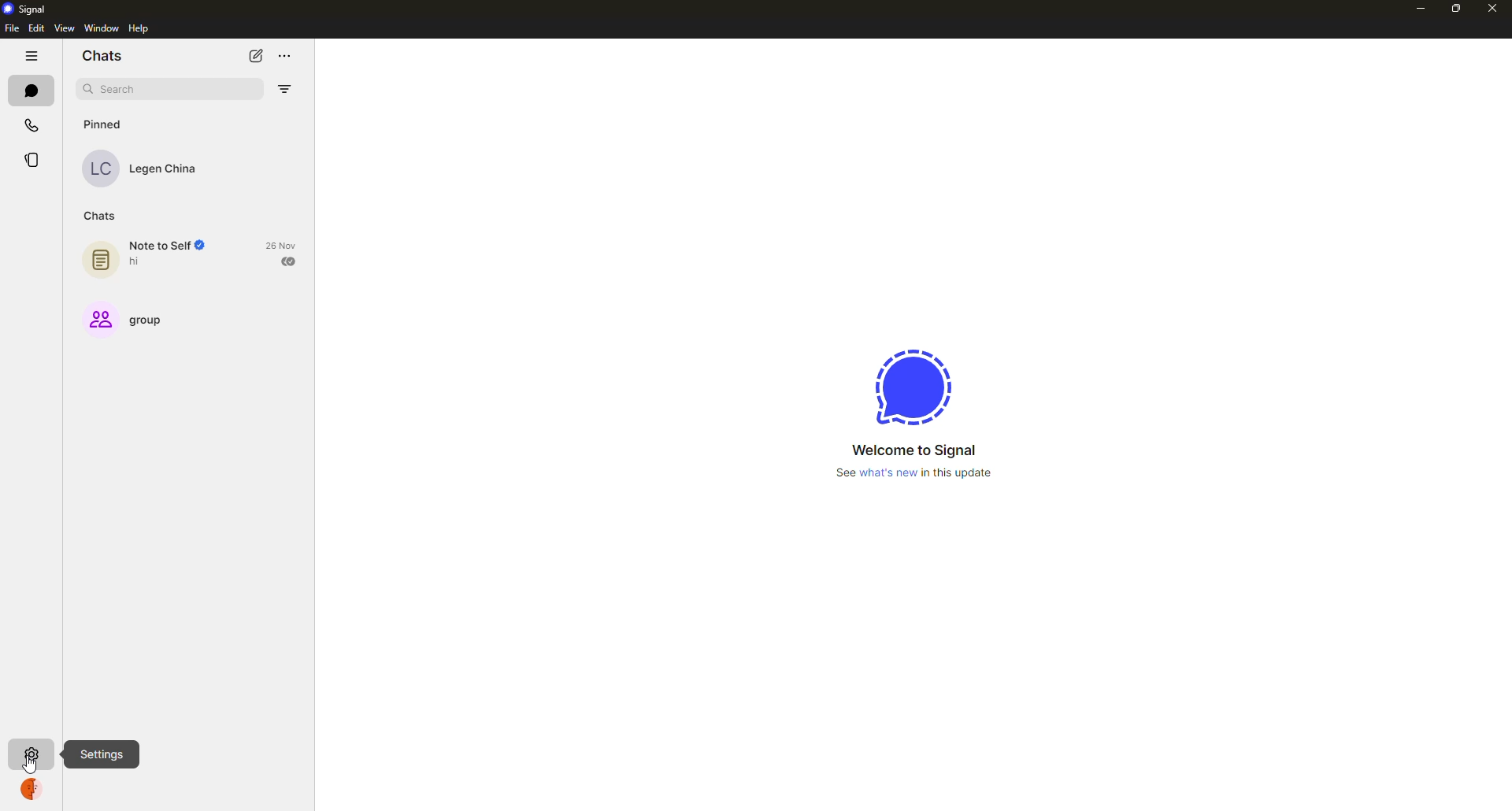 The width and height of the screenshot is (1512, 811). Describe the element at coordinates (153, 255) in the screenshot. I see `note to self` at that location.